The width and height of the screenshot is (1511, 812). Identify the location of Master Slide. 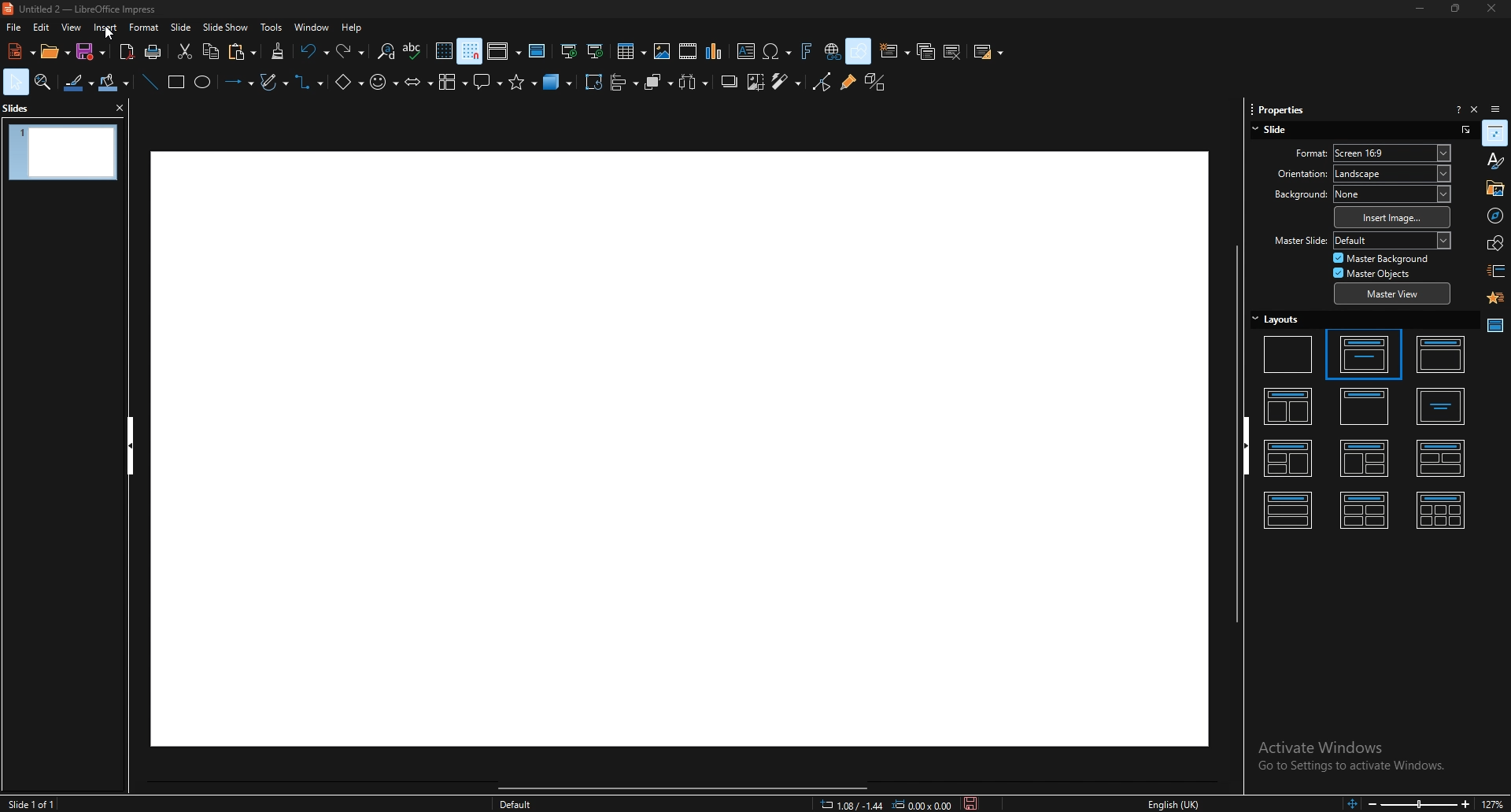
(1299, 241).